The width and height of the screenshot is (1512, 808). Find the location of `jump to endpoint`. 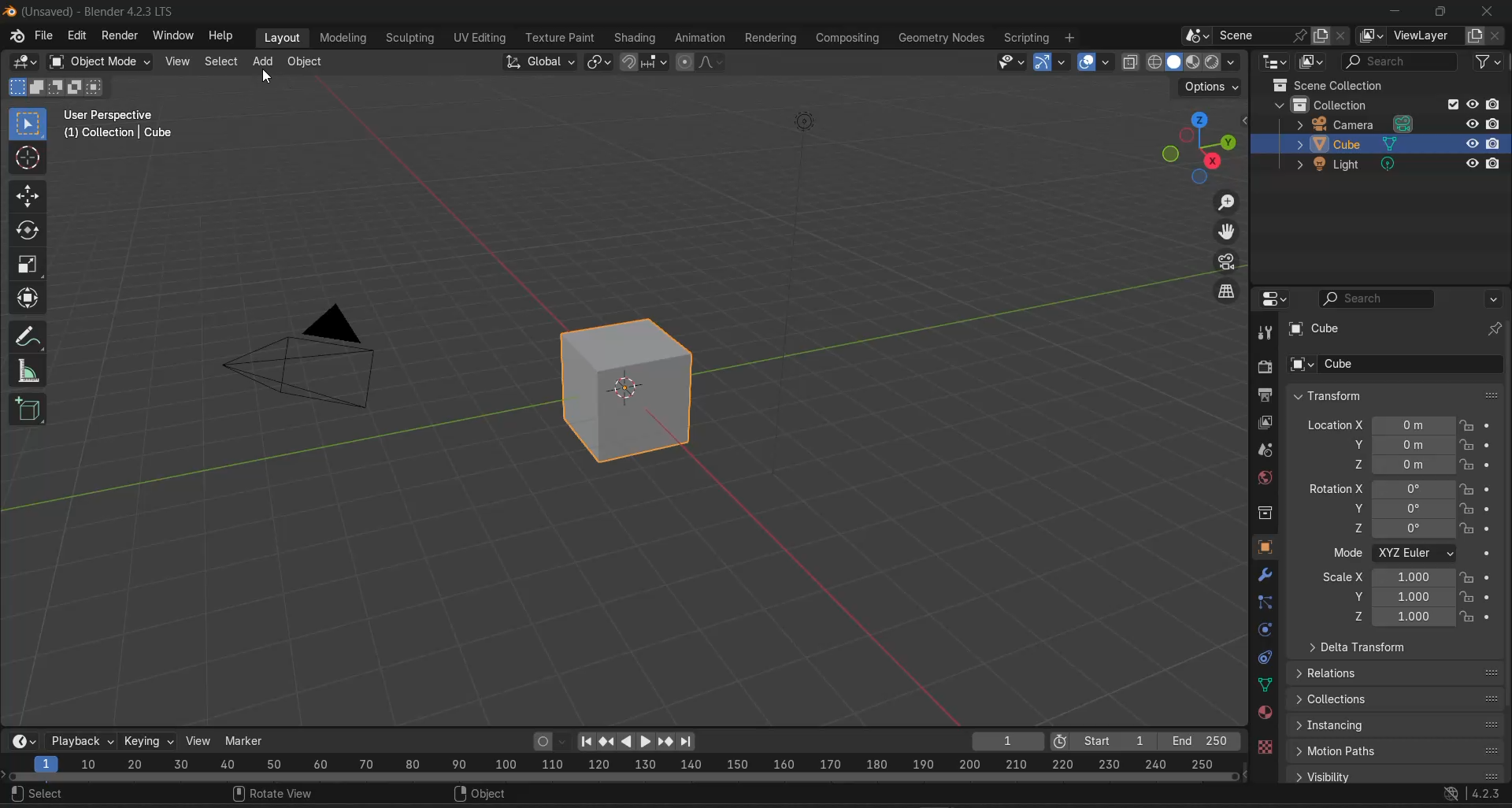

jump to endpoint is located at coordinates (589, 742).